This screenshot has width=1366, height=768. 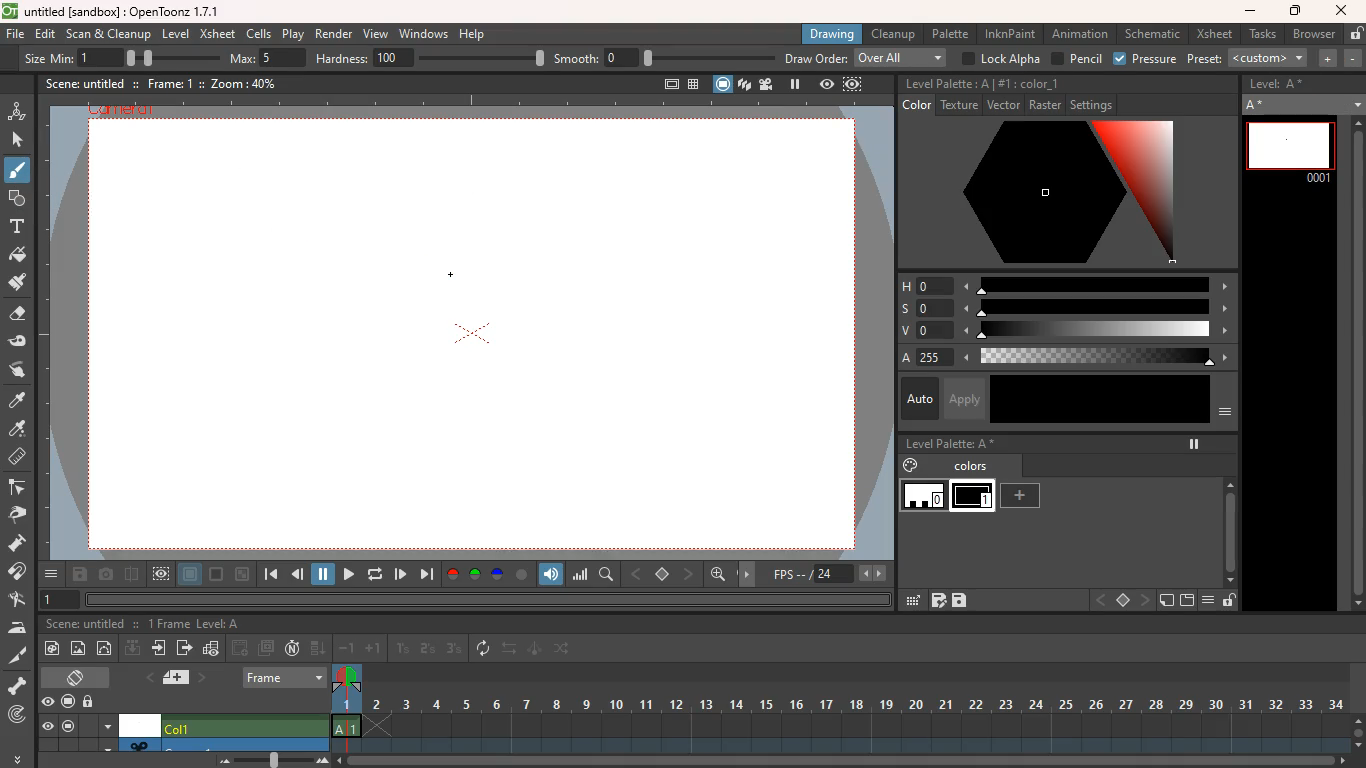 What do you see at coordinates (141, 725) in the screenshot?
I see `canvas` at bounding box center [141, 725].